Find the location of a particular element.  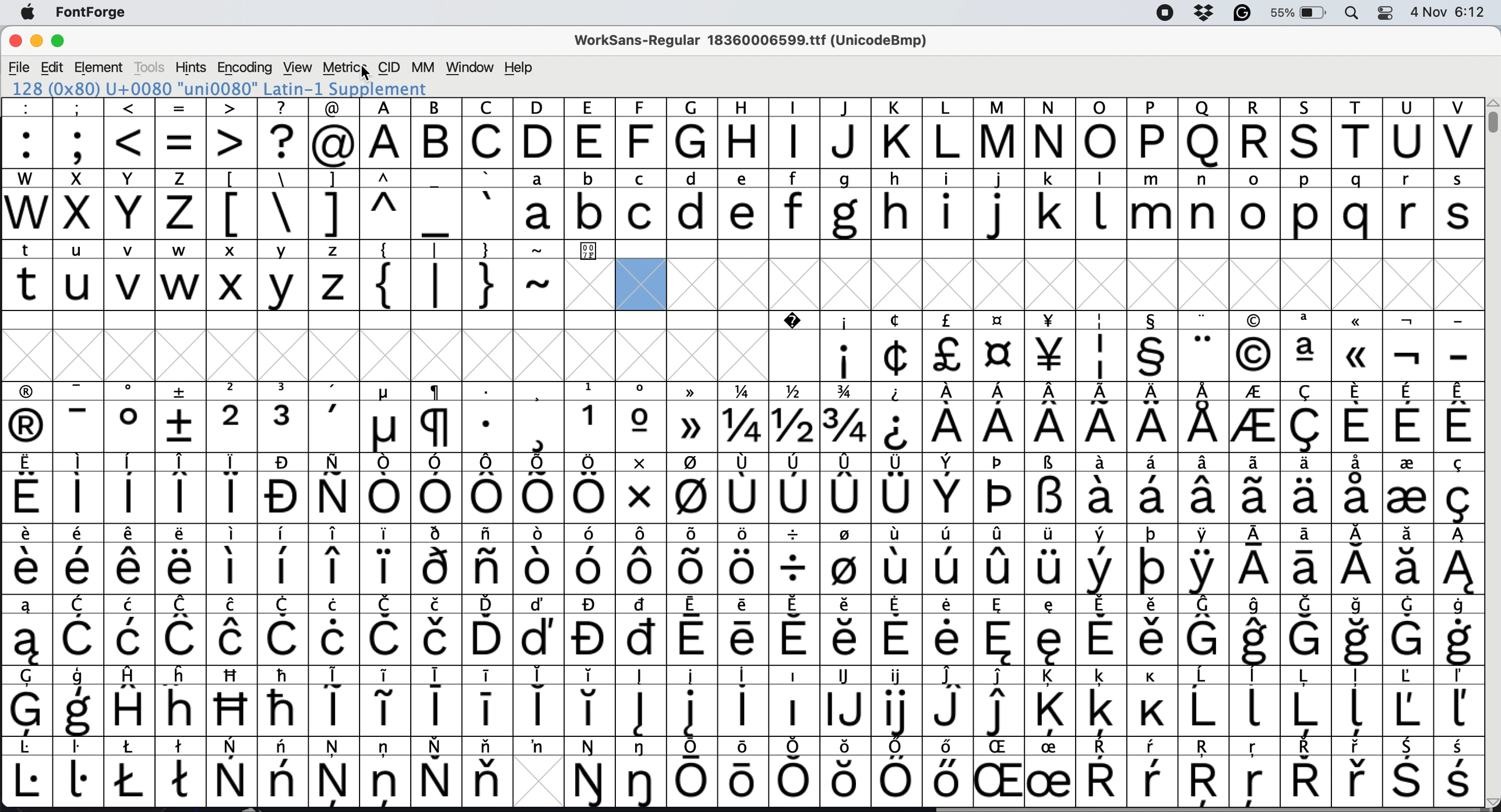

Minimize is located at coordinates (40, 41).